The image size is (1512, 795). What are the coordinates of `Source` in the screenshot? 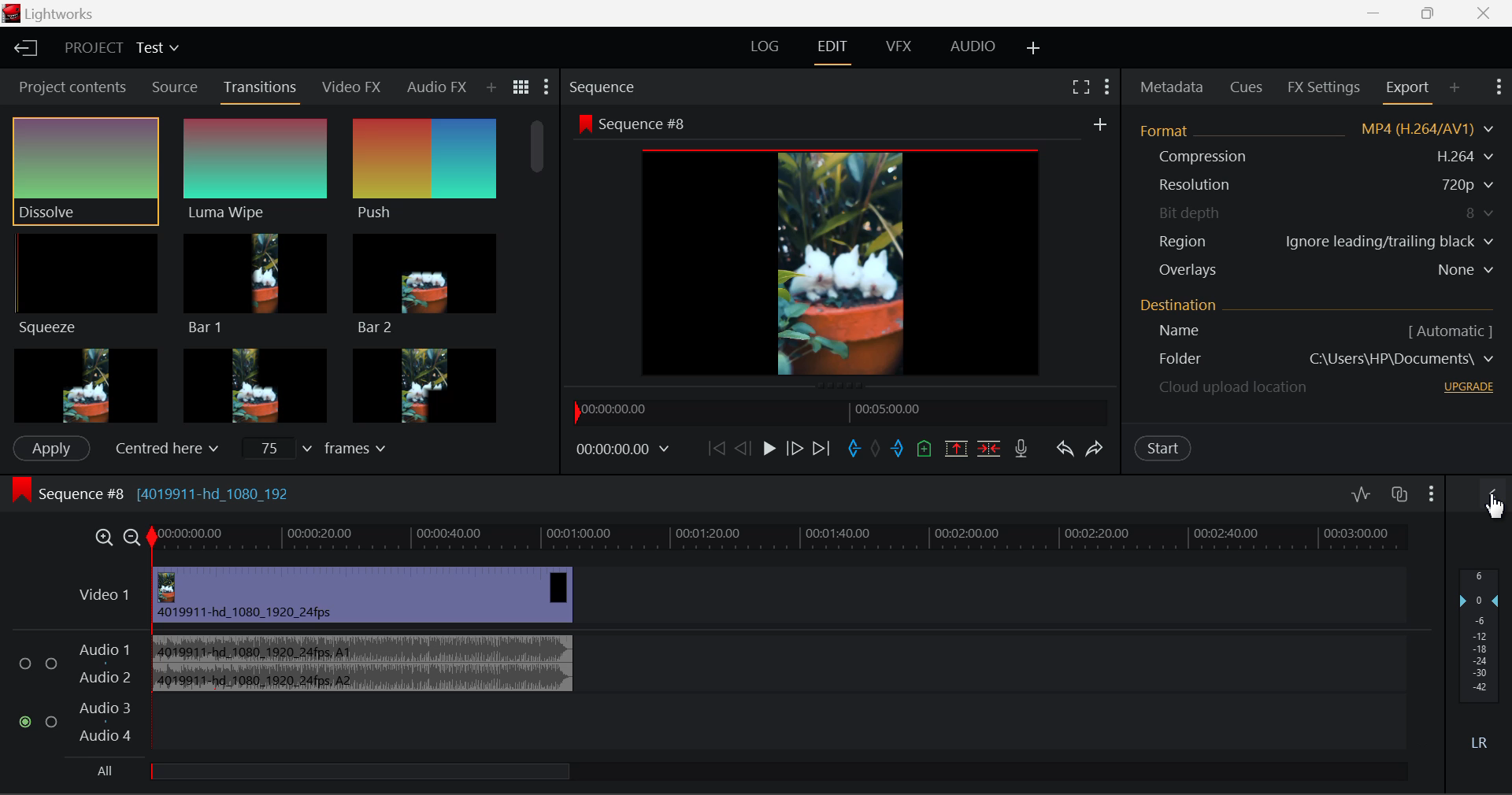 It's located at (175, 87).